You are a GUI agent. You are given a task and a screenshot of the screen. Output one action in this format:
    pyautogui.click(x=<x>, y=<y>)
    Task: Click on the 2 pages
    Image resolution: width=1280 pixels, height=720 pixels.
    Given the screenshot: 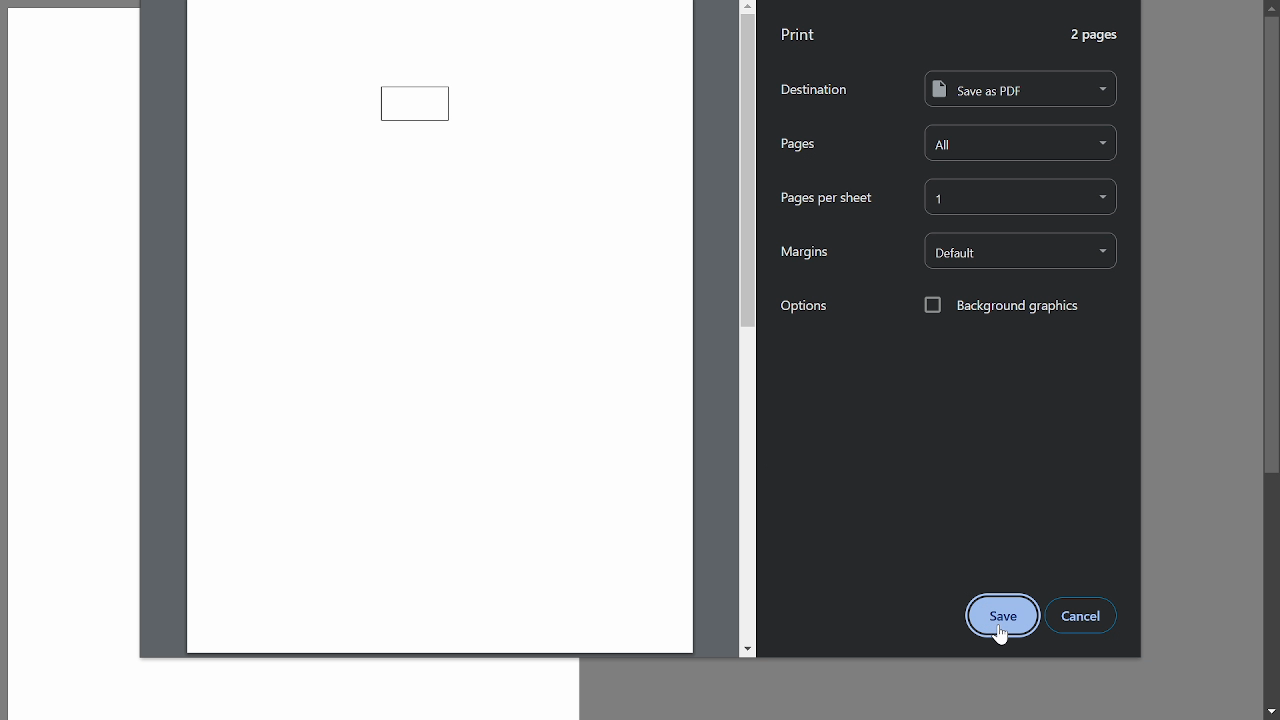 What is the action you would take?
    pyautogui.click(x=1092, y=31)
    